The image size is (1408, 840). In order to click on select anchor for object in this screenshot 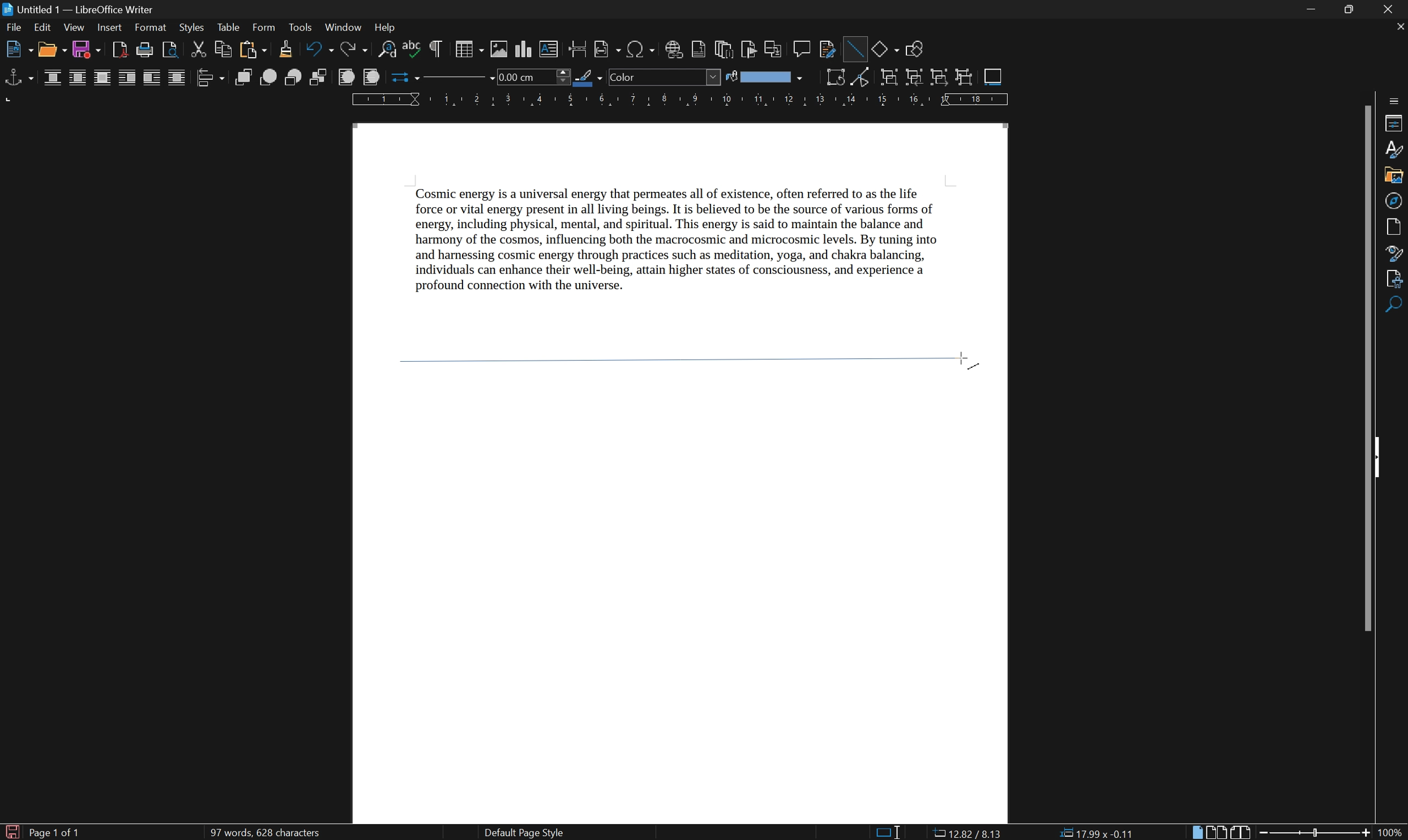, I will do `click(17, 78)`.